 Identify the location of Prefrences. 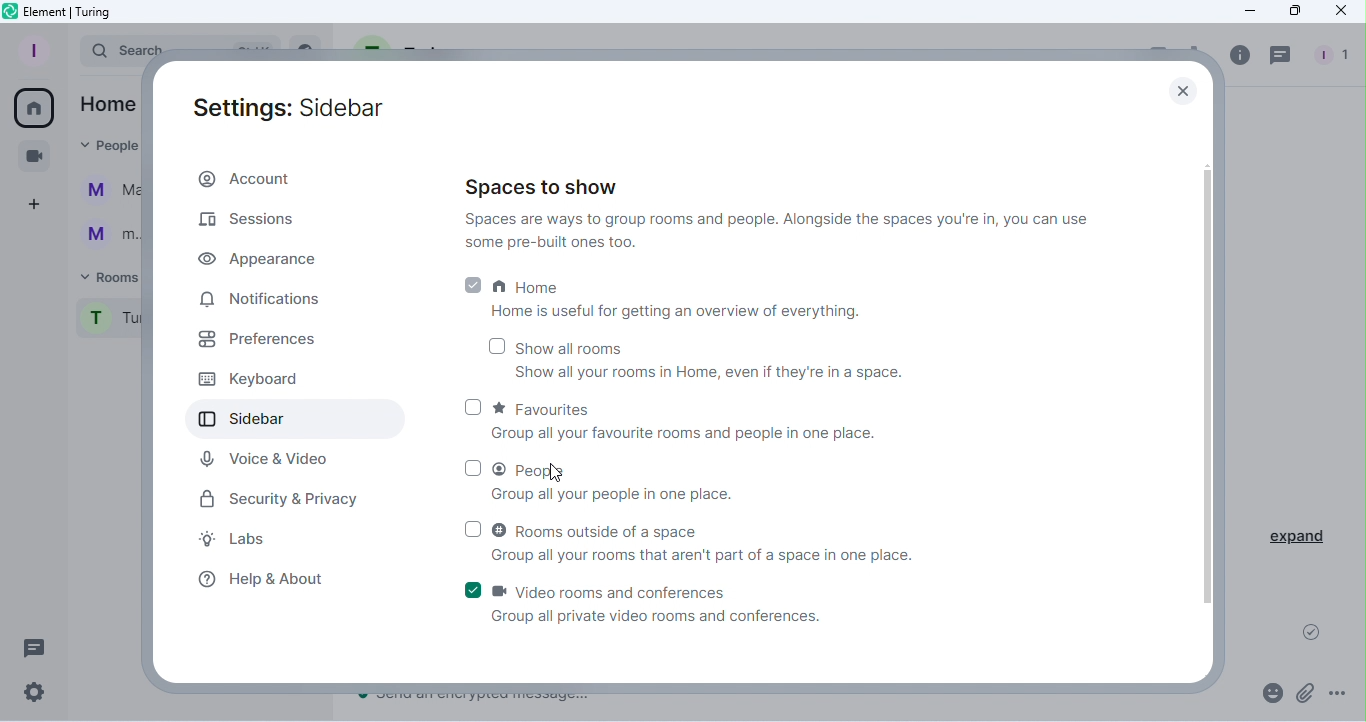
(265, 339).